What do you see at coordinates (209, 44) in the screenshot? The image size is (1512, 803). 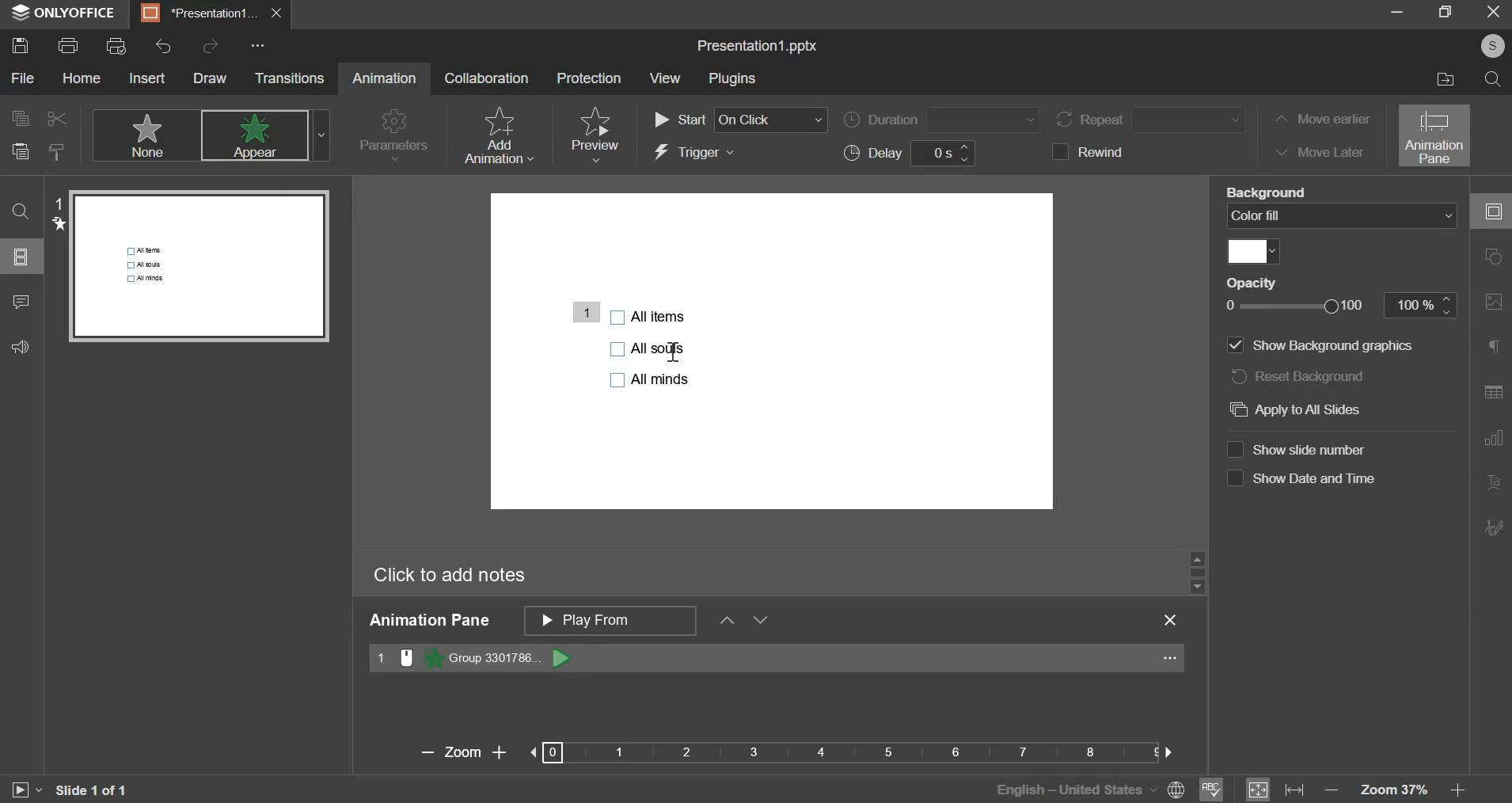 I see `redo` at bounding box center [209, 44].